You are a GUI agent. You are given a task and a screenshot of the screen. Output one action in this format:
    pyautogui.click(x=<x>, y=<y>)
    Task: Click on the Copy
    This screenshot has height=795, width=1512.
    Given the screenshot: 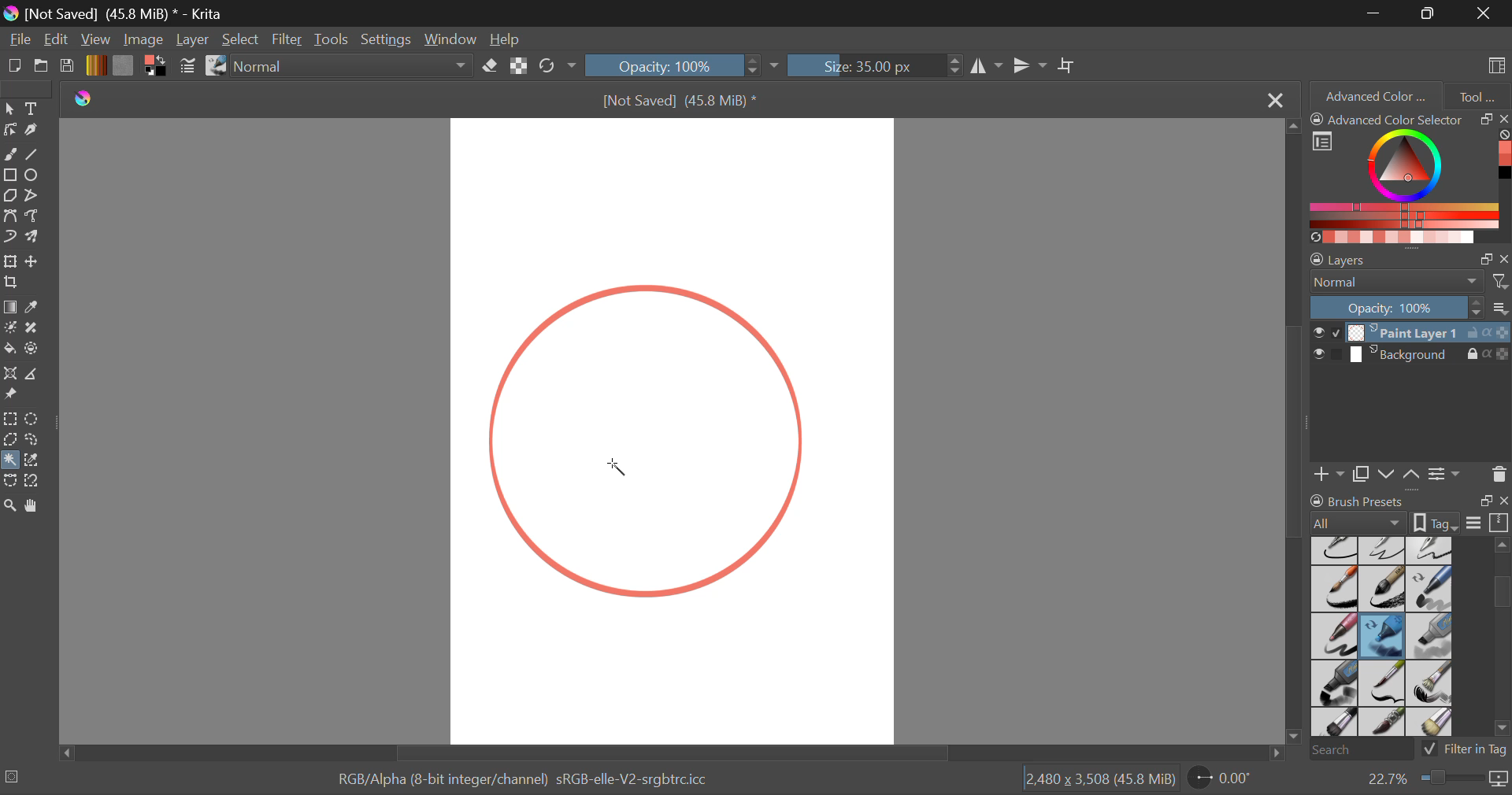 What is the action you would take?
    pyautogui.click(x=1364, y=471)
    